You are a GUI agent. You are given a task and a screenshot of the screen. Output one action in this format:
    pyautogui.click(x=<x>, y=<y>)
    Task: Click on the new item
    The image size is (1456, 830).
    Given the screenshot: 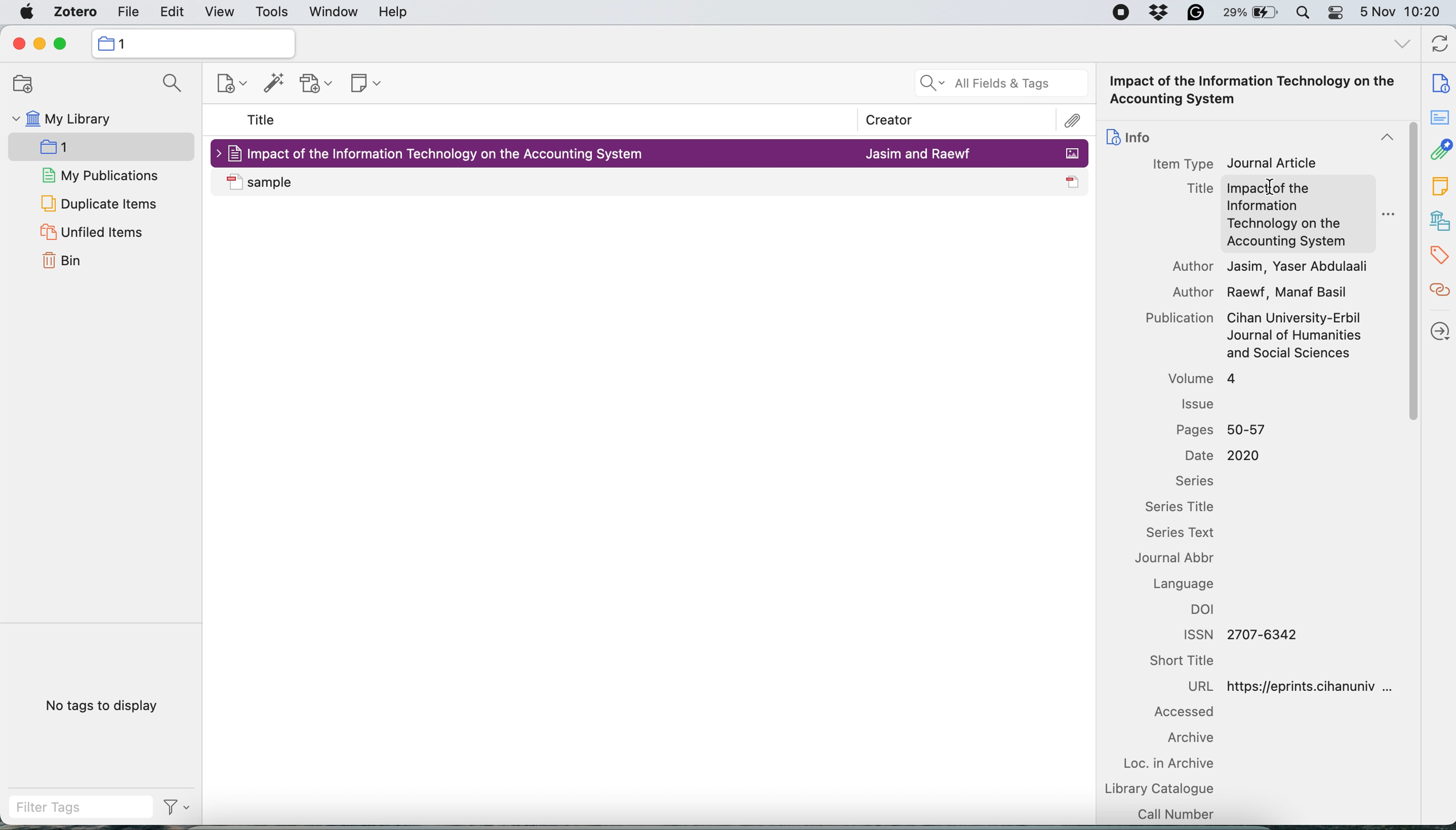 What is the action you would take?
    pyautogui.click(x=227, y=83)
    